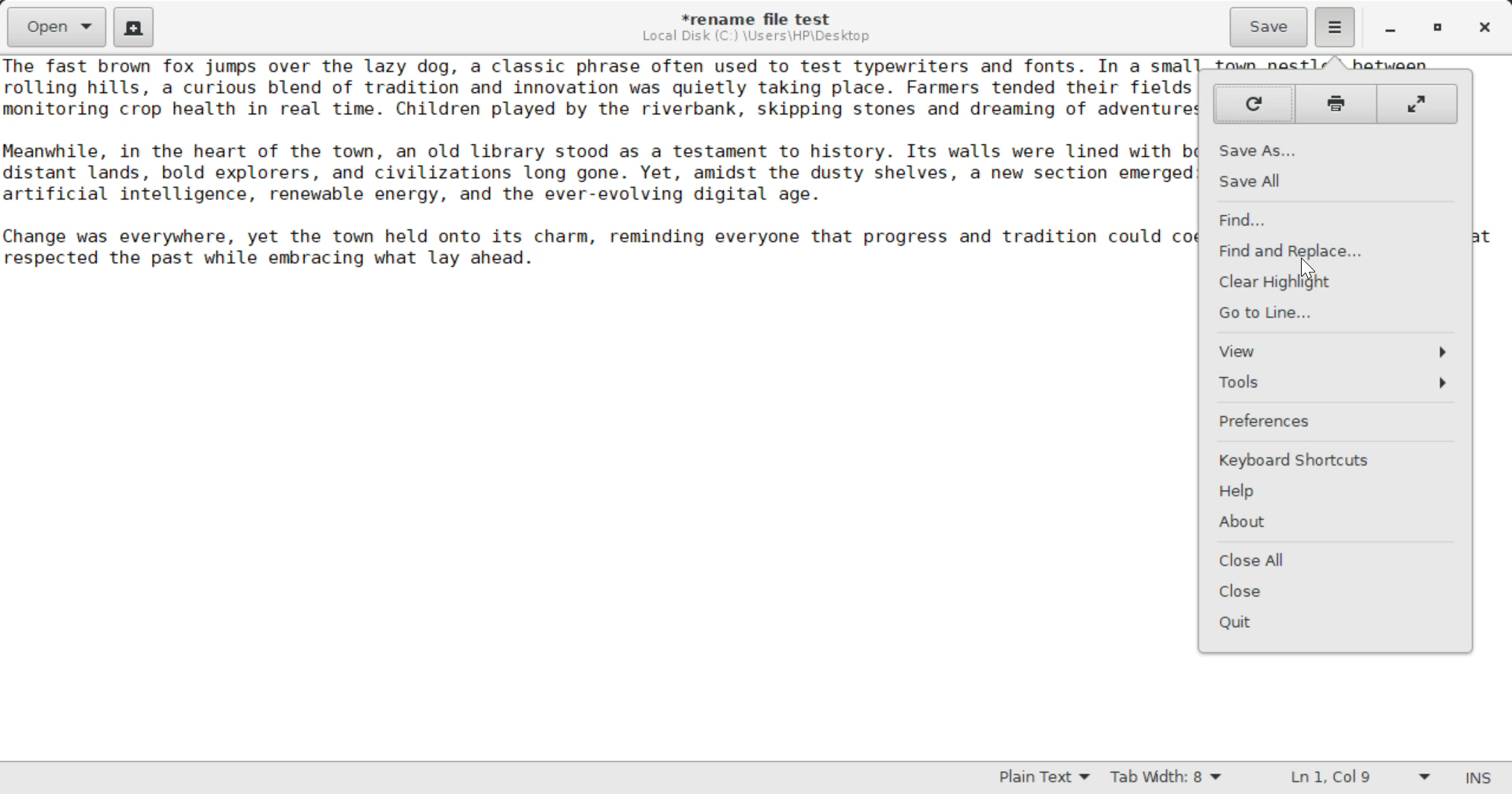 The image size is (1512, 794). What do you see at coordinates (760, 38) in the screenshot?
I see `File Location` at bounding box center [760, 38].